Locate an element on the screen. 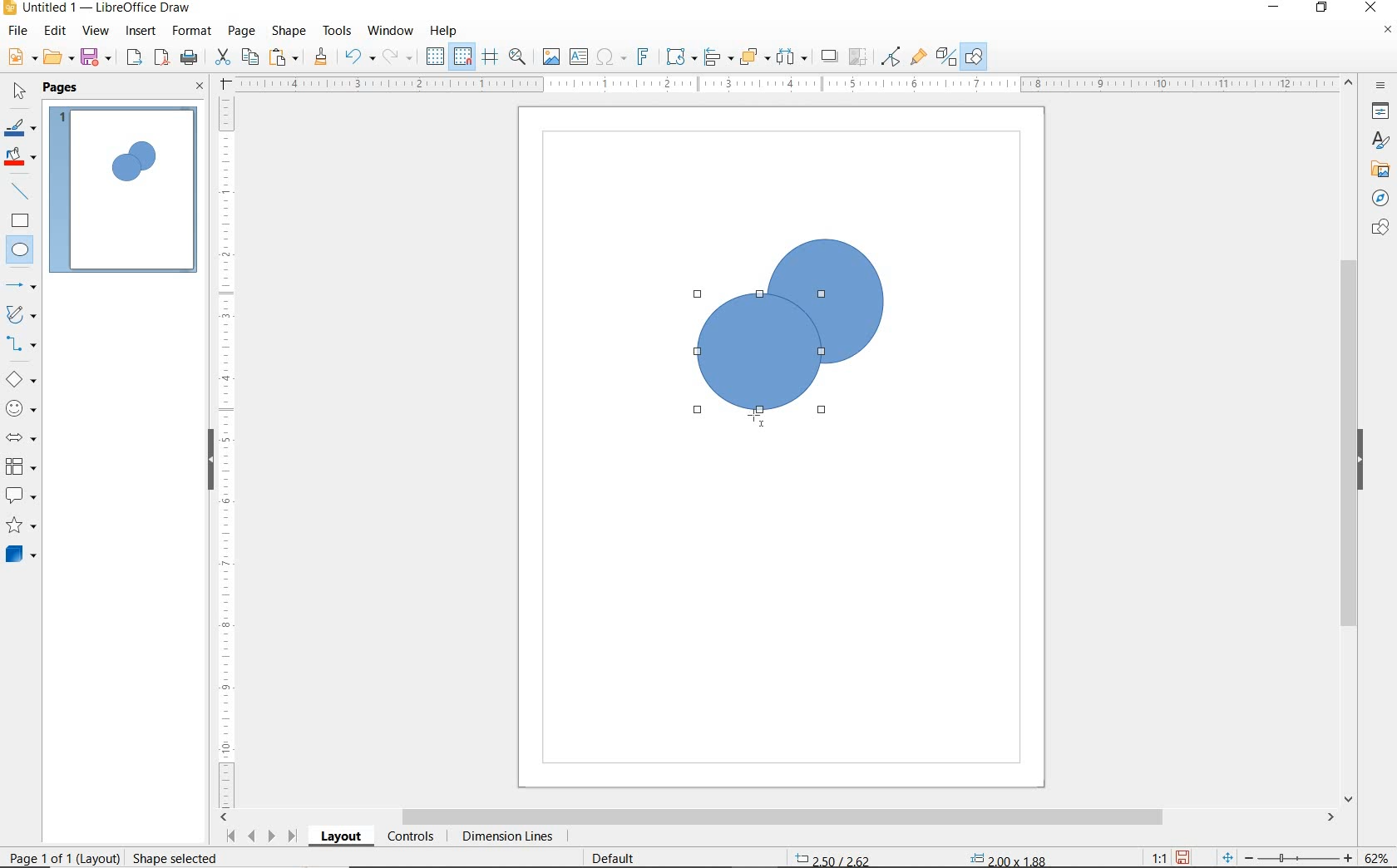 Image resolution: width=1397 pixels, height=868 pixels. ELLIPSE TOOL AT DRAG is located at coordinates (699, 295).